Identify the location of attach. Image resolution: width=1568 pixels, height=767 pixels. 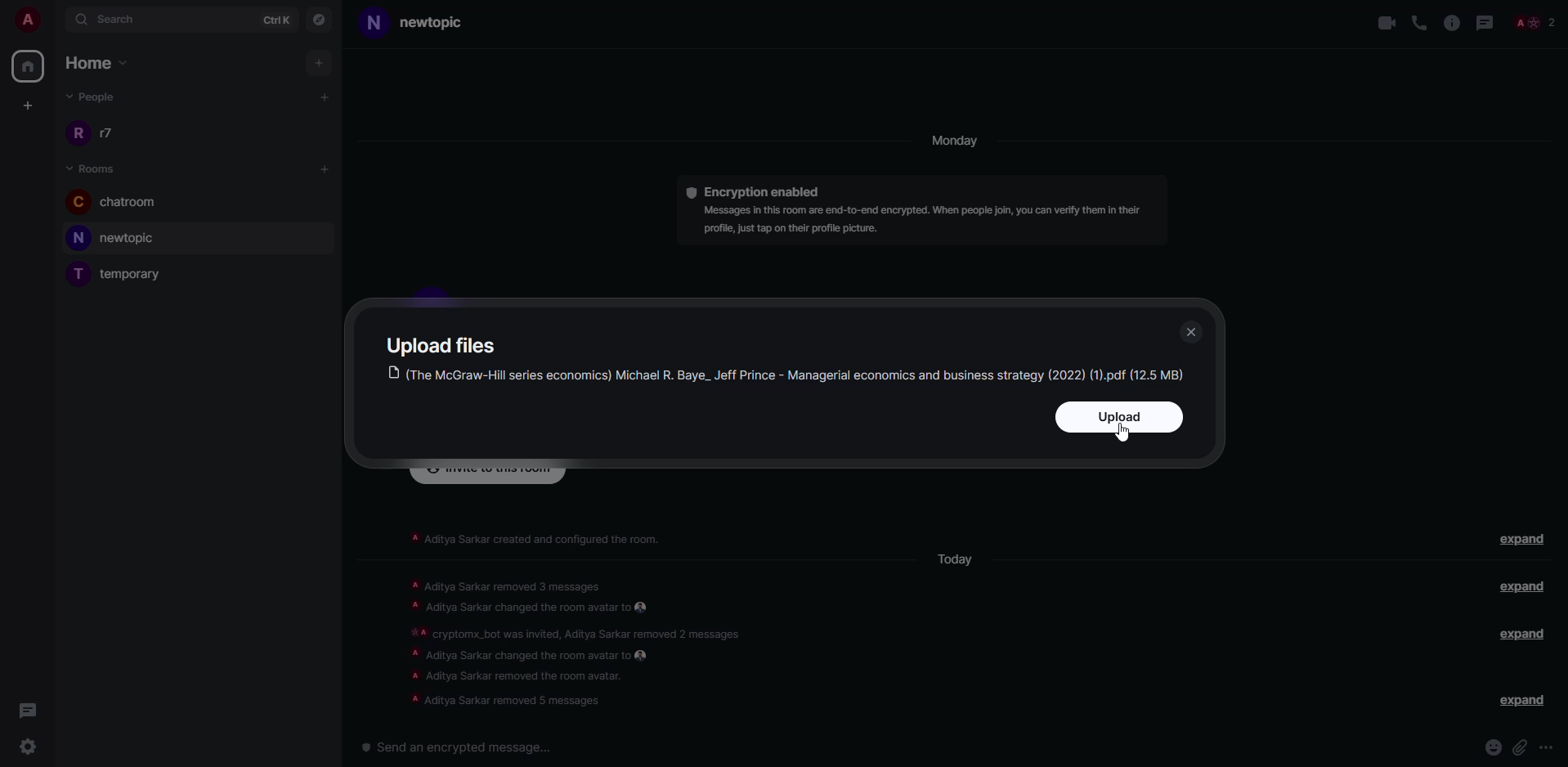
(1552, 747).